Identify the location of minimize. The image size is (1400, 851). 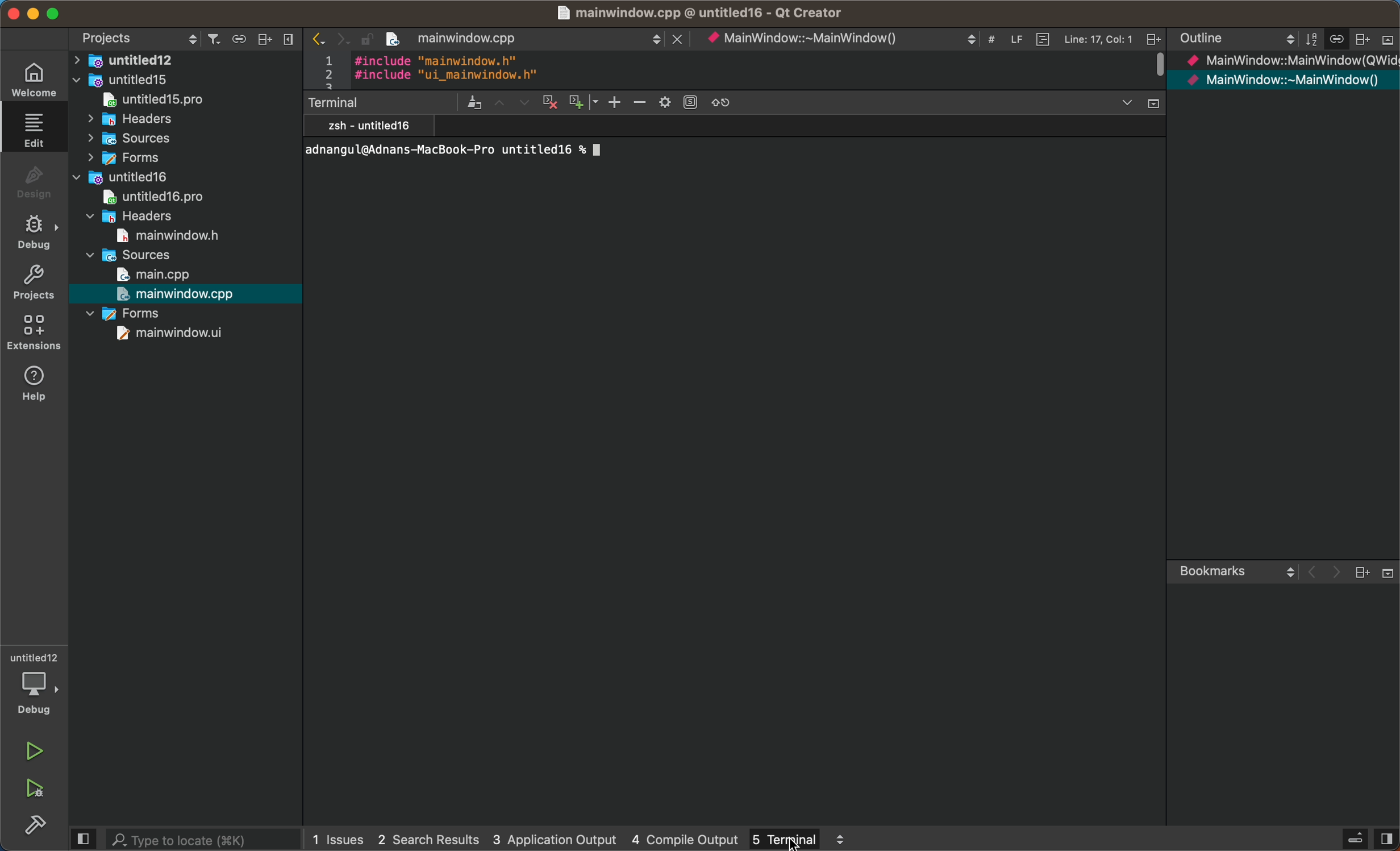
(13, 12).